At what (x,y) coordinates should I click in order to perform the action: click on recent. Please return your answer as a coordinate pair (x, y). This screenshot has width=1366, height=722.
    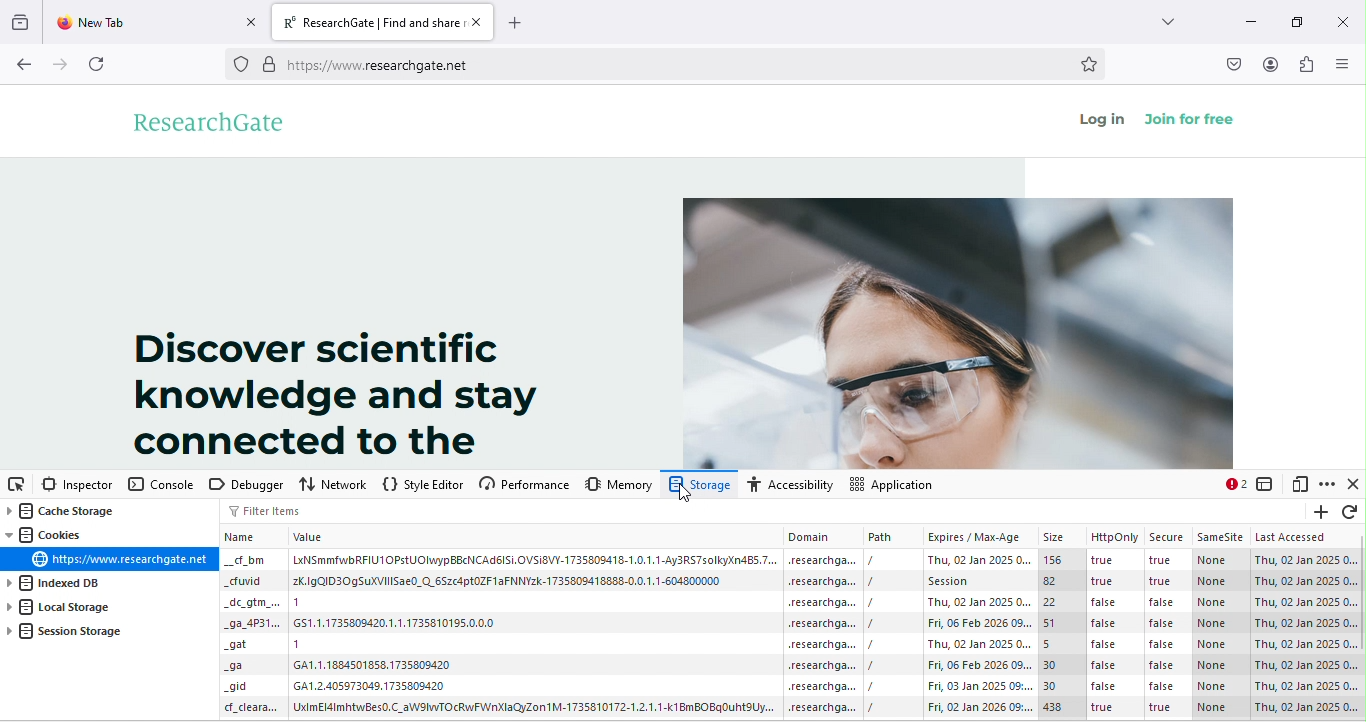
    Looking at the image, I should click on (20, 22).